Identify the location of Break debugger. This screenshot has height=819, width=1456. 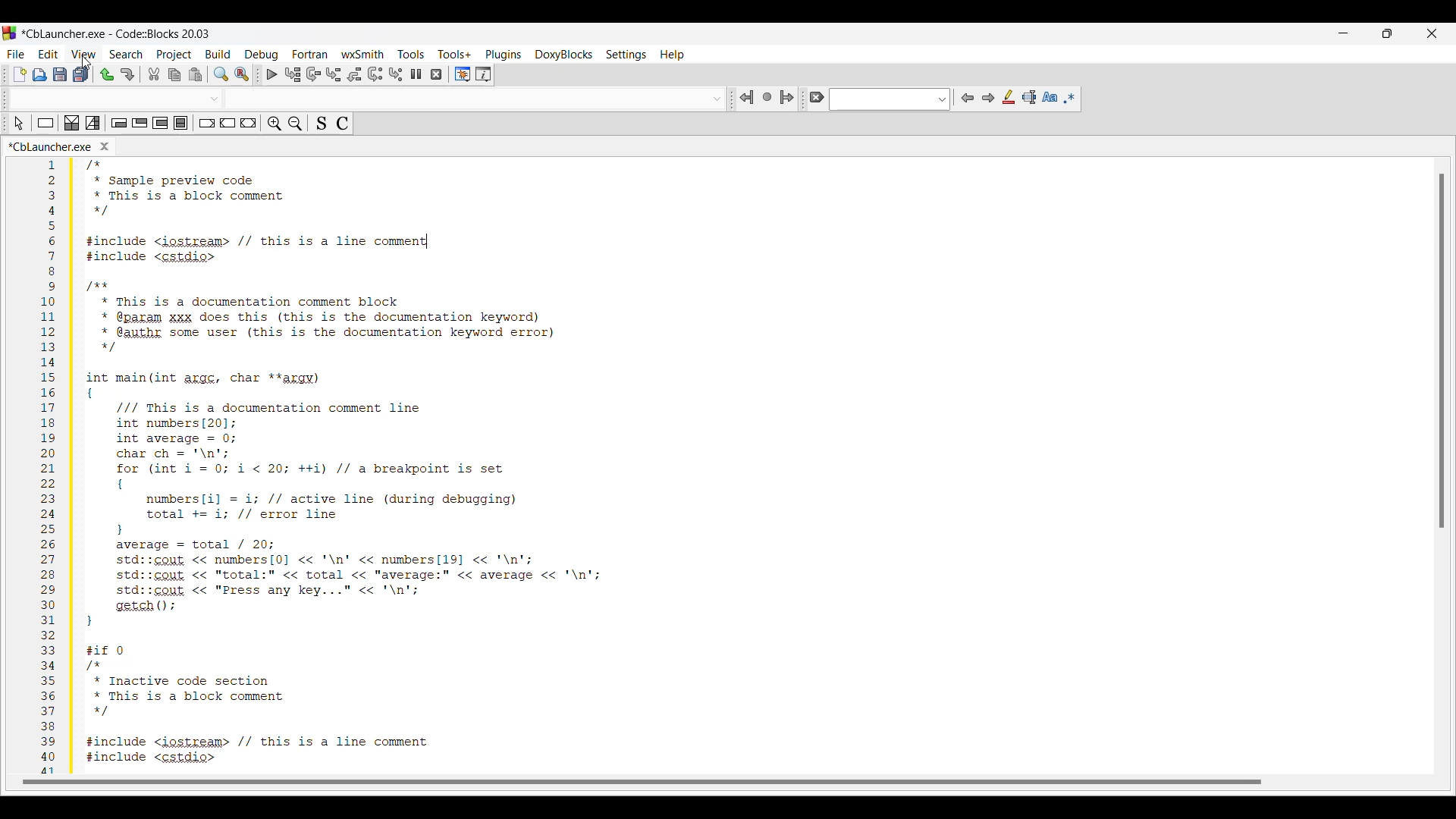
(416, 74).